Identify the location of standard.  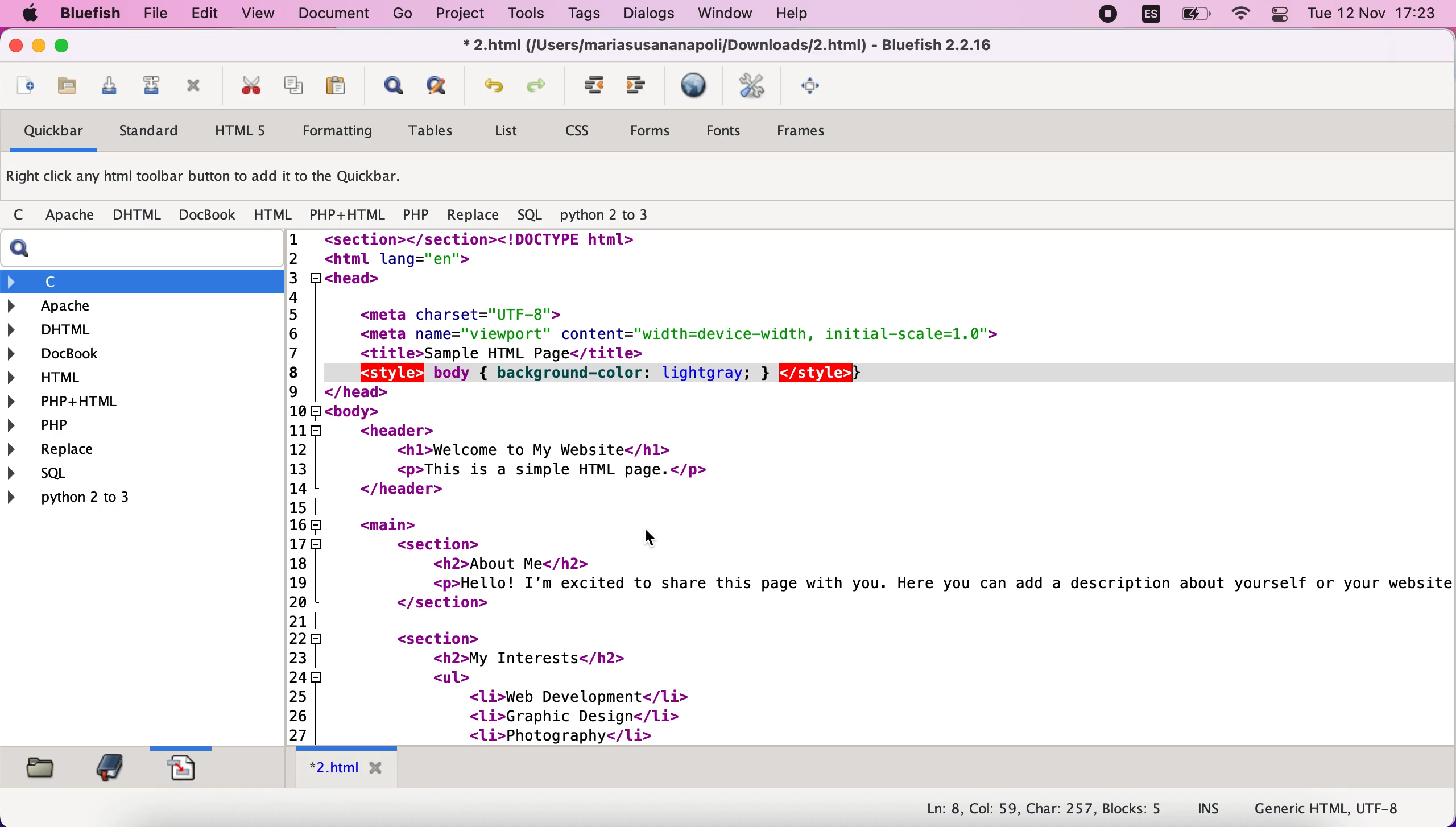
(158, 129).